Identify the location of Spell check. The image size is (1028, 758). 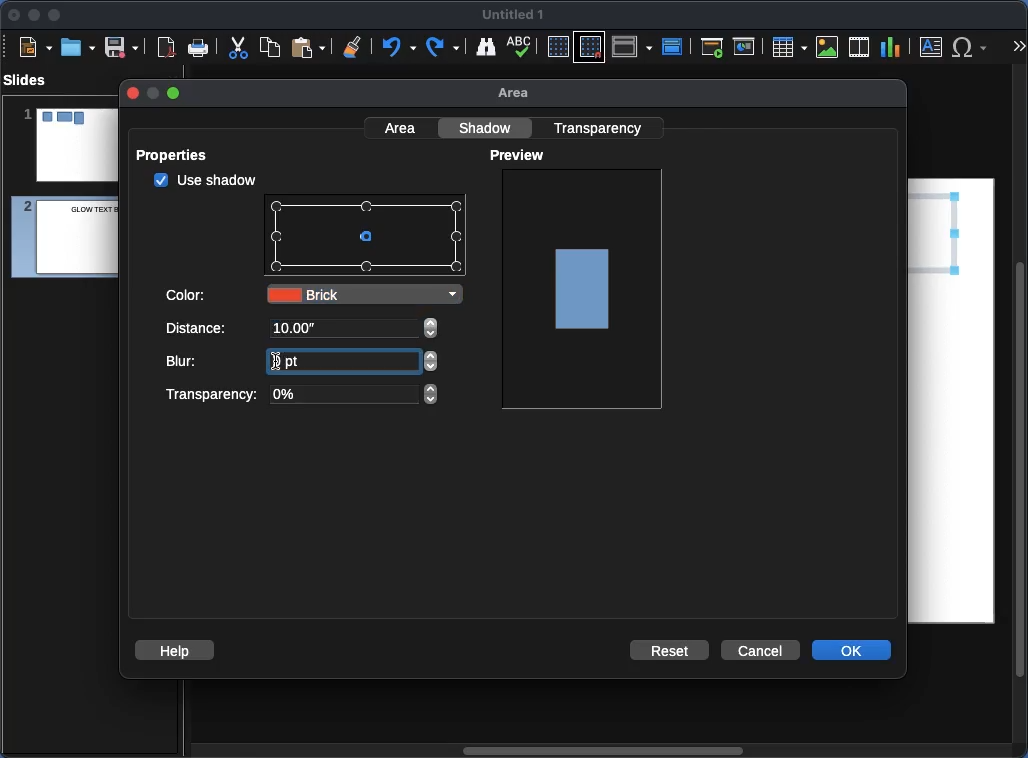
(521, 48).